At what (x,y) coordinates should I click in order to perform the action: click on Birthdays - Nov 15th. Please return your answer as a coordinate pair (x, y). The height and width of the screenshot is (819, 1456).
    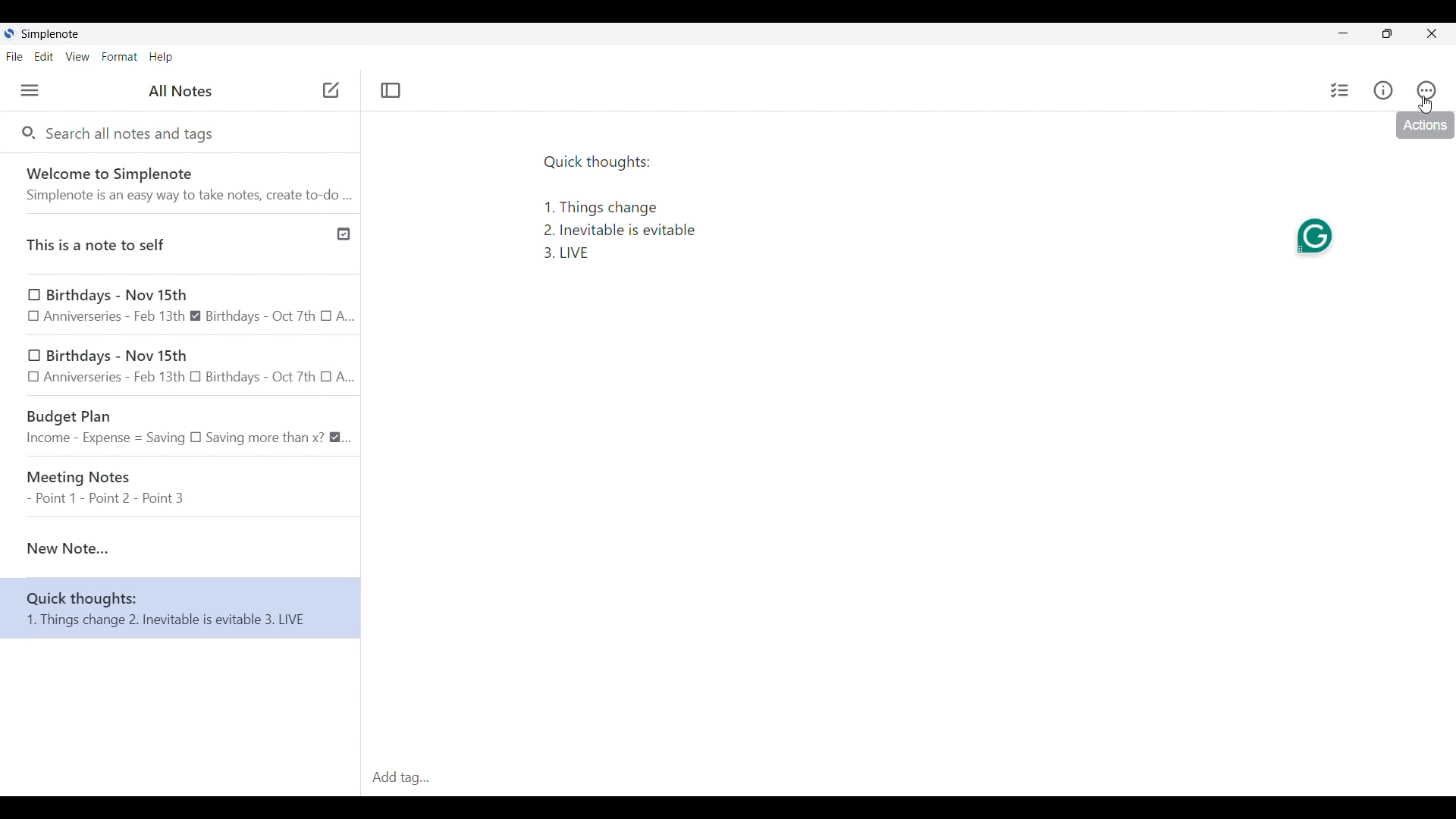
    Looking at the image, I should click on (180, 304).